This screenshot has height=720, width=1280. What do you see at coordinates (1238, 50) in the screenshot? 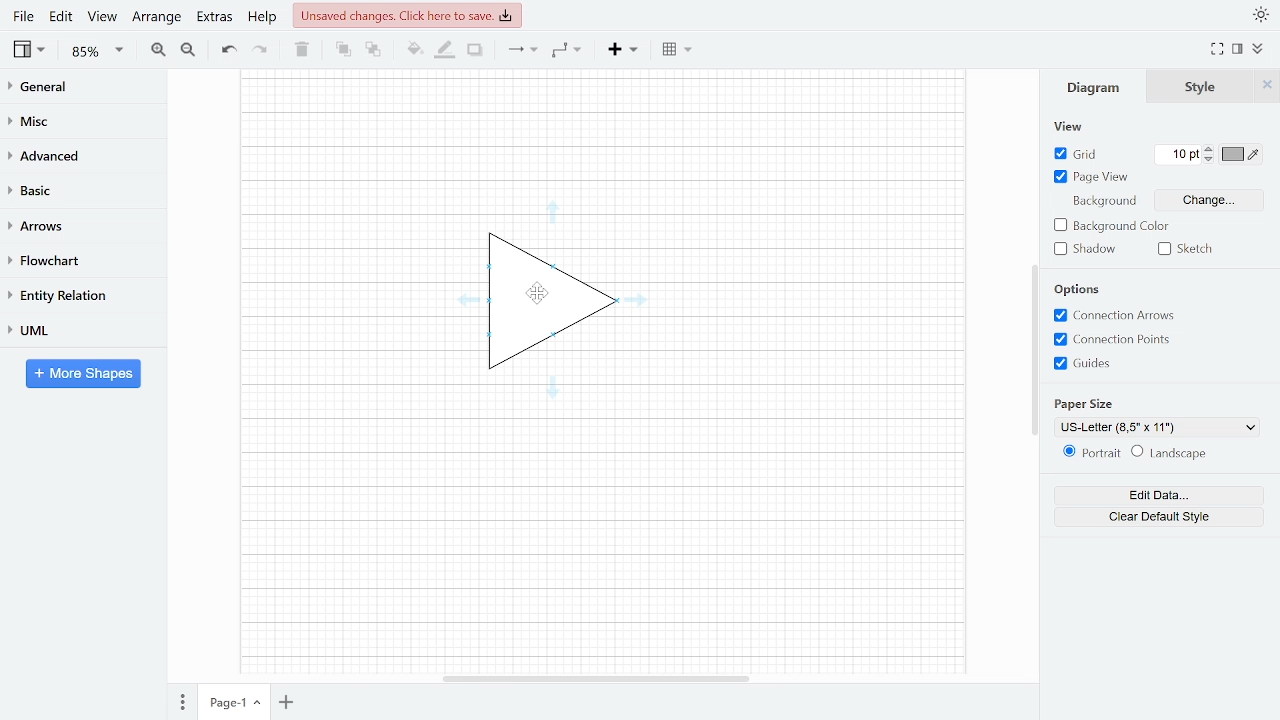
I see `Format (Ctrl+Shift+P)` at bounding box center [1238, 50].